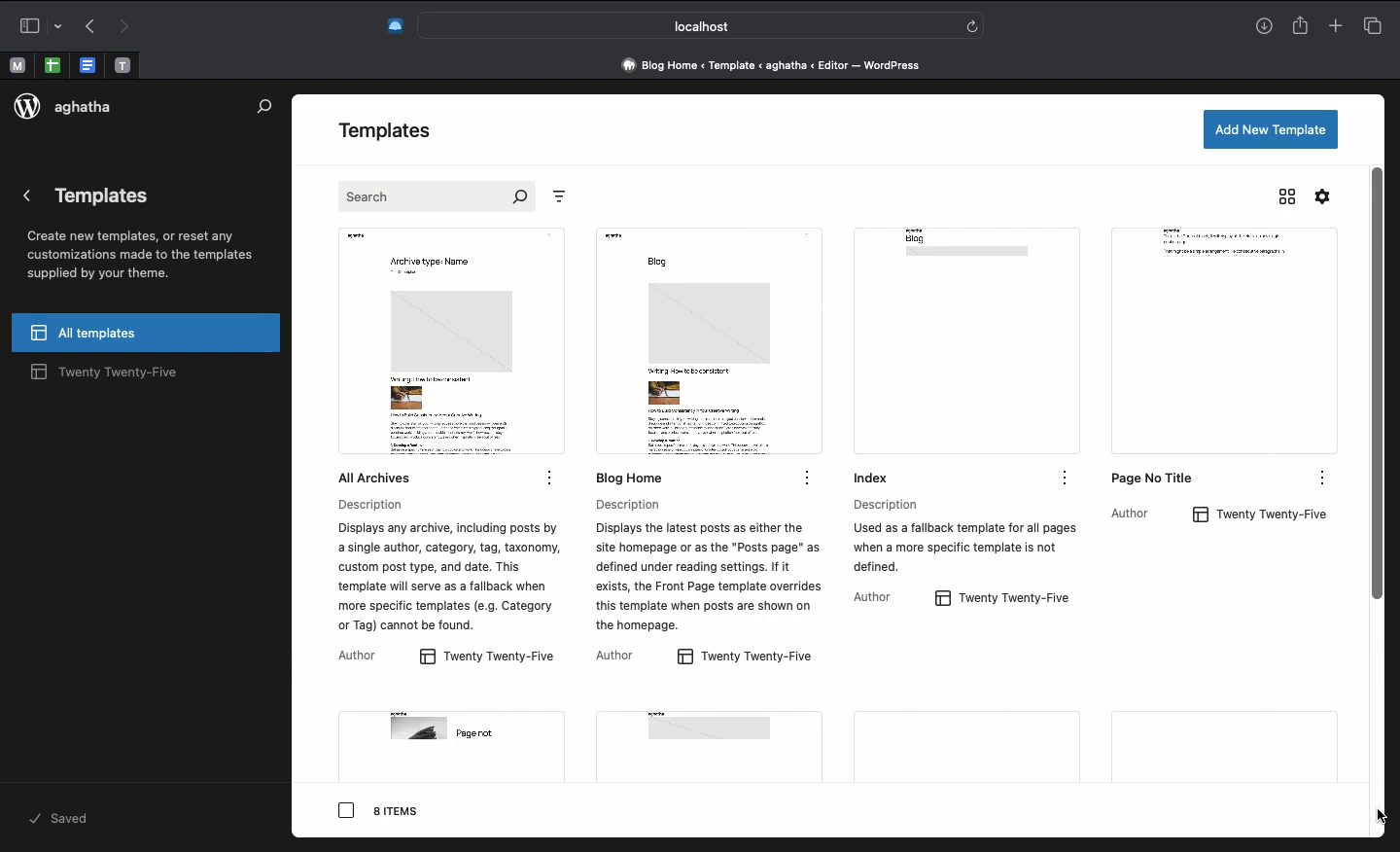 The width and height of the screenshot is (1400, 852). I want to click on Description, so click(454, 568).